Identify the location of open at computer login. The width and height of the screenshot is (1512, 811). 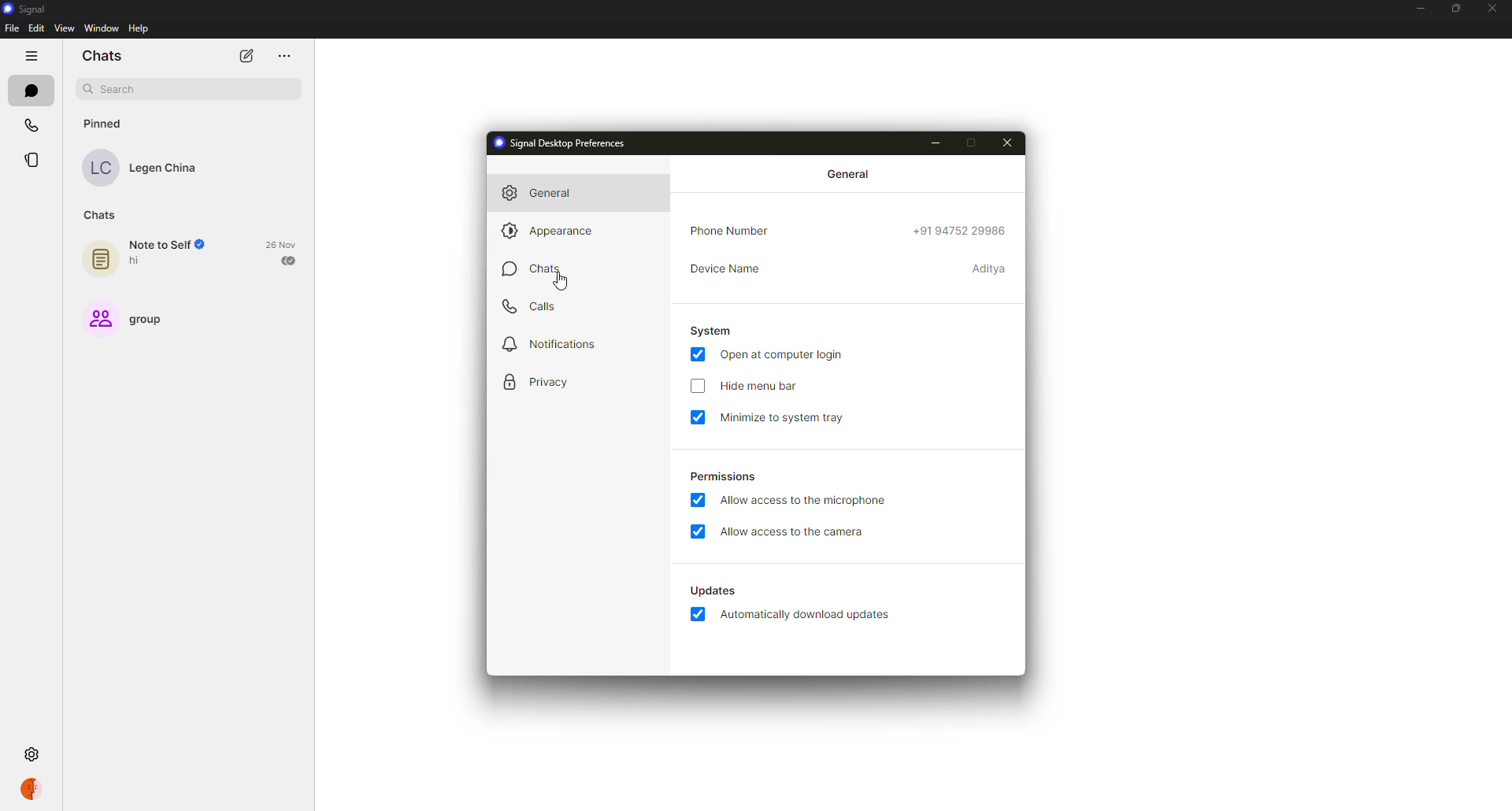
(782, 354).